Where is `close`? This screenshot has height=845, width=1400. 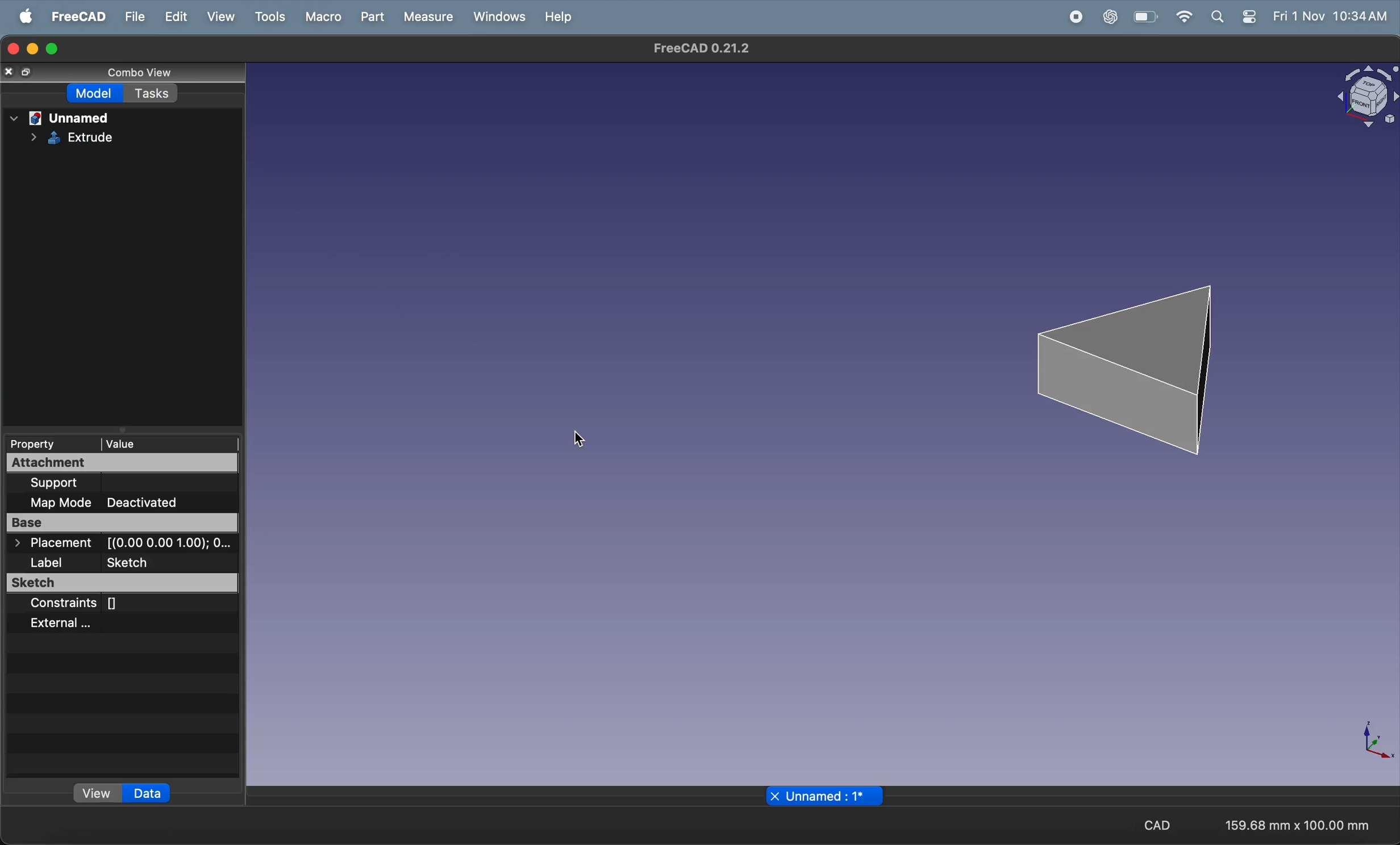 close is located at coordinates (10, 71).